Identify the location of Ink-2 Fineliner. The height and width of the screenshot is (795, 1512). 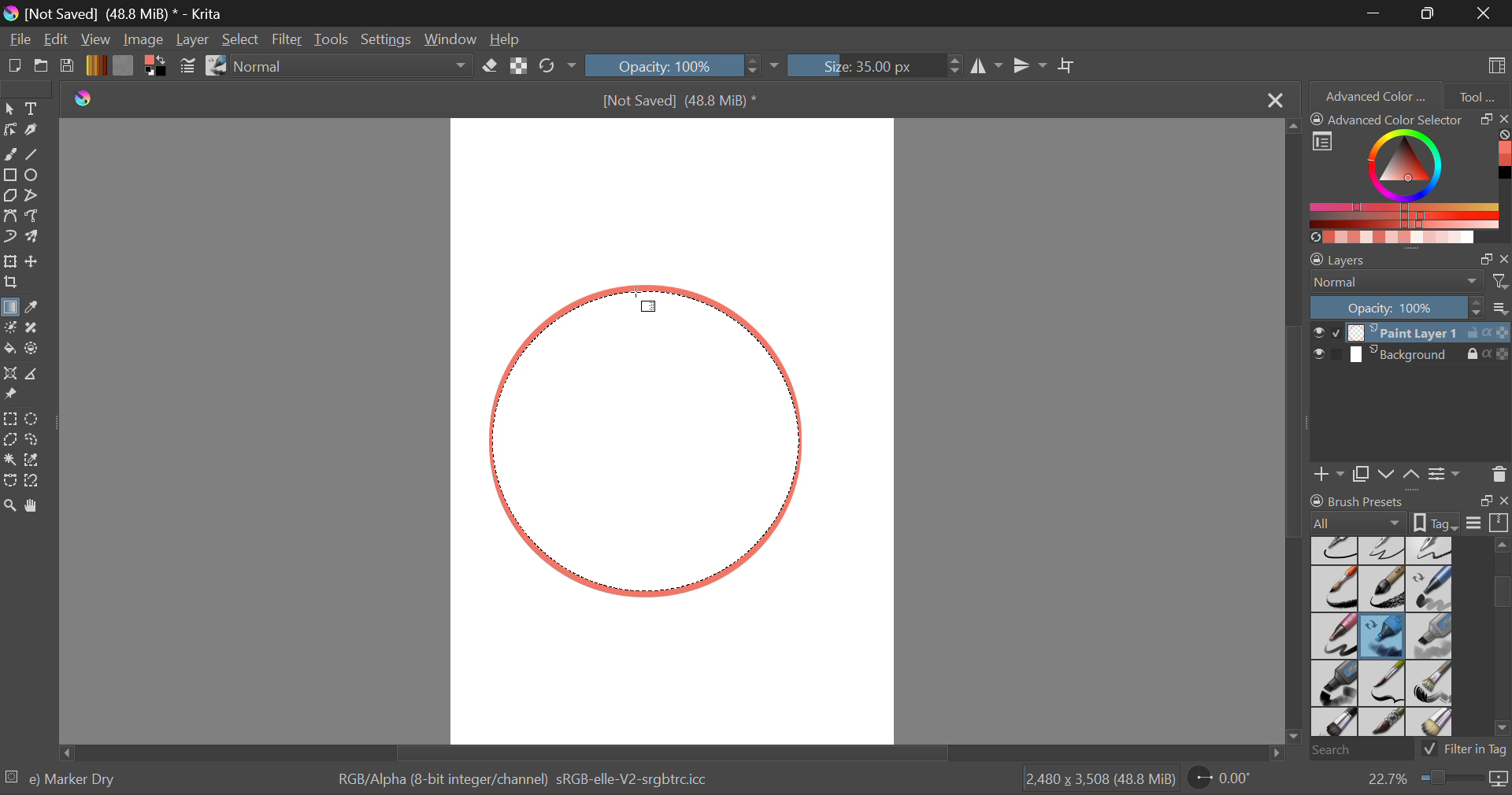
(1336, 549).